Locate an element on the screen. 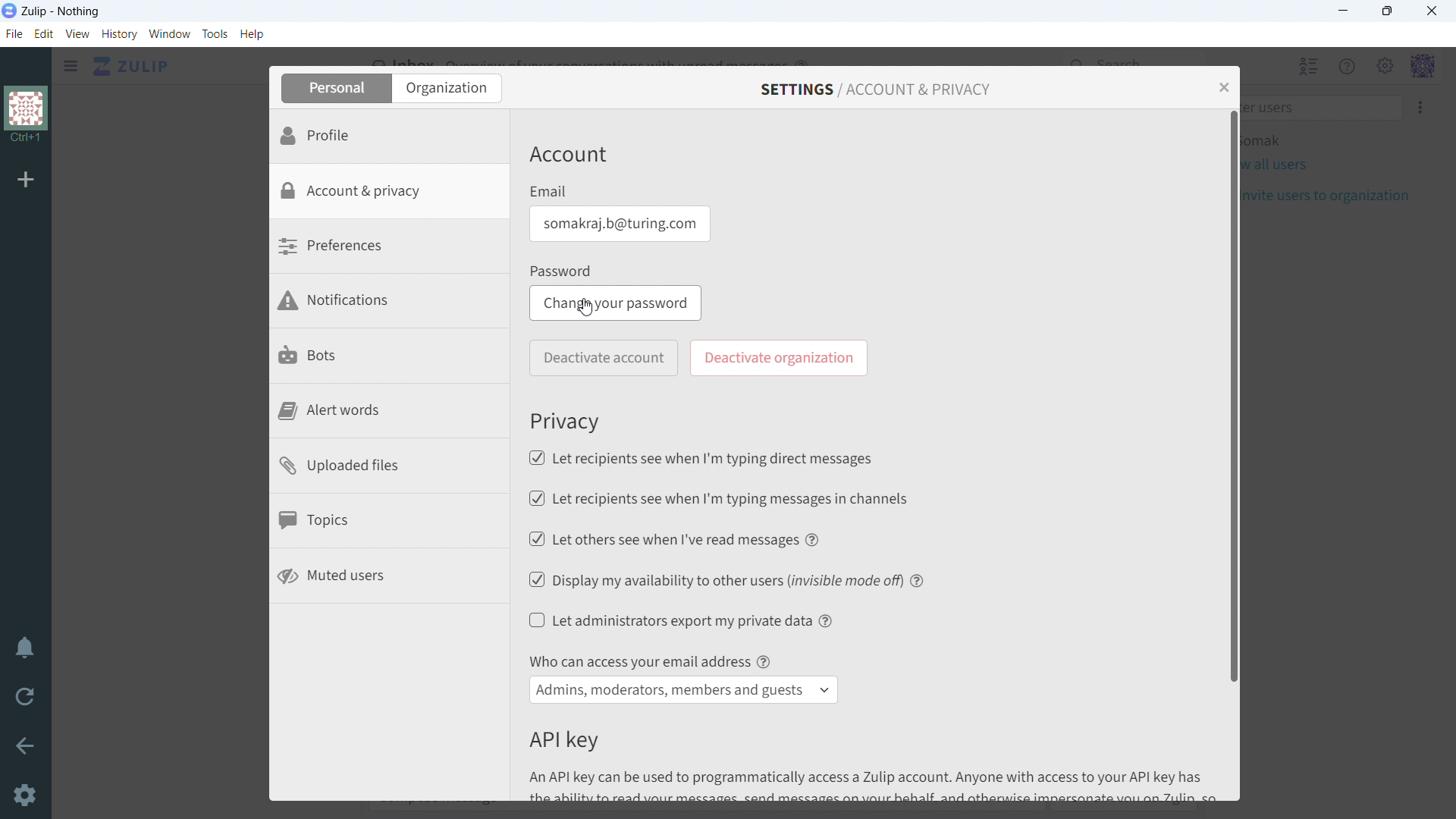  organization is located at coordinates (27, 116).